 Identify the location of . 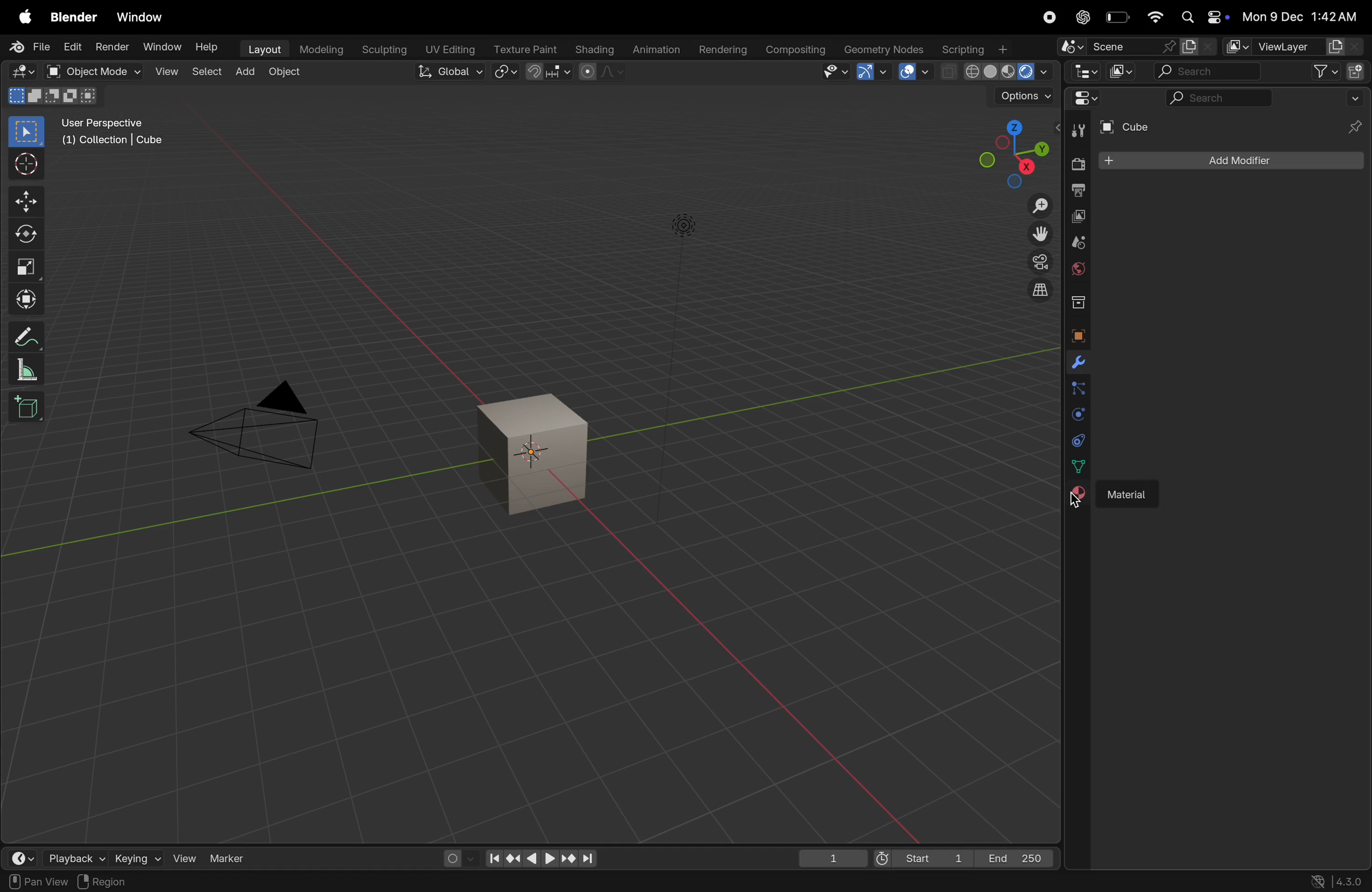
(1294, 46).